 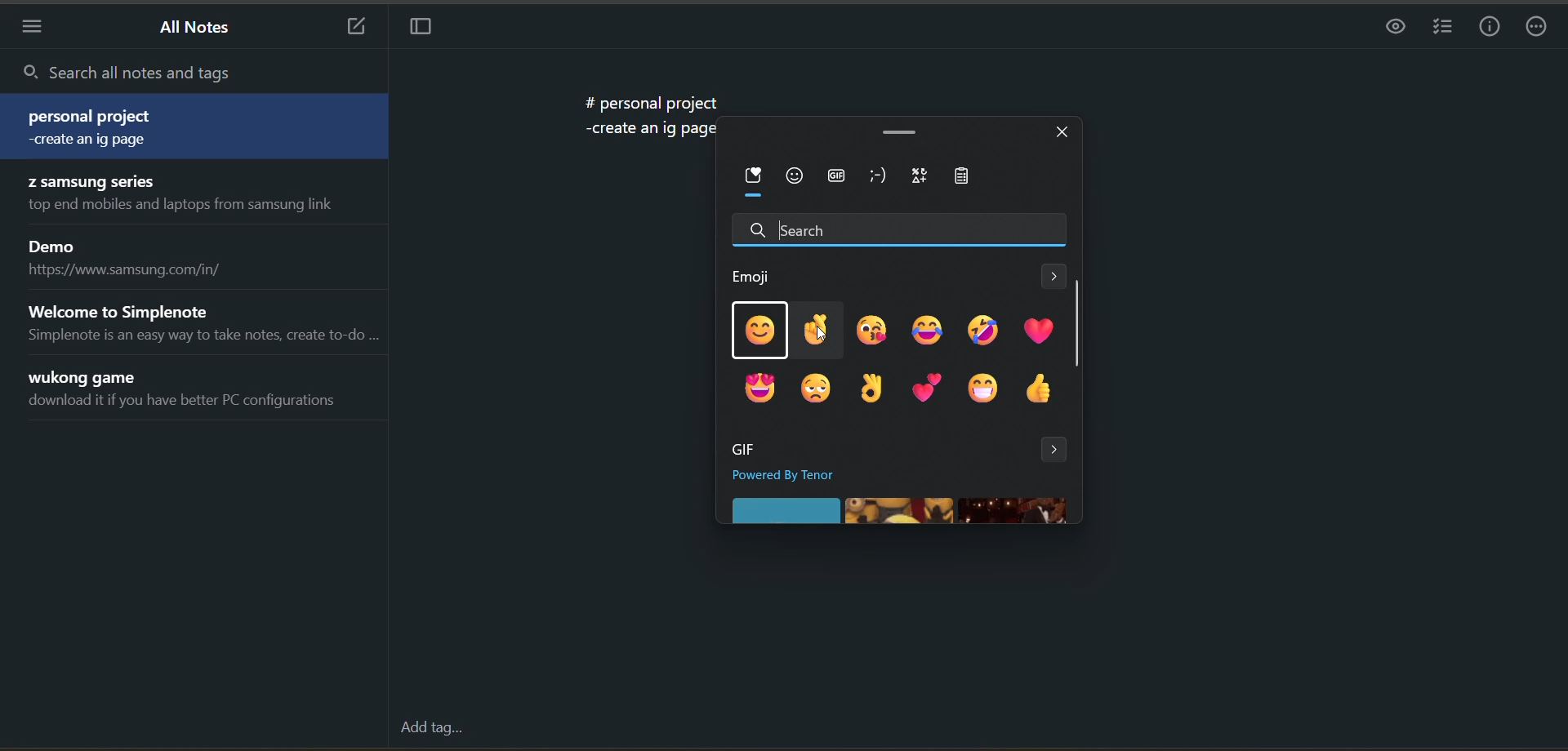 What do you see at coordinates (1492, 26) in the screenshot?
I see `info` at bounding box center [1492, 26].